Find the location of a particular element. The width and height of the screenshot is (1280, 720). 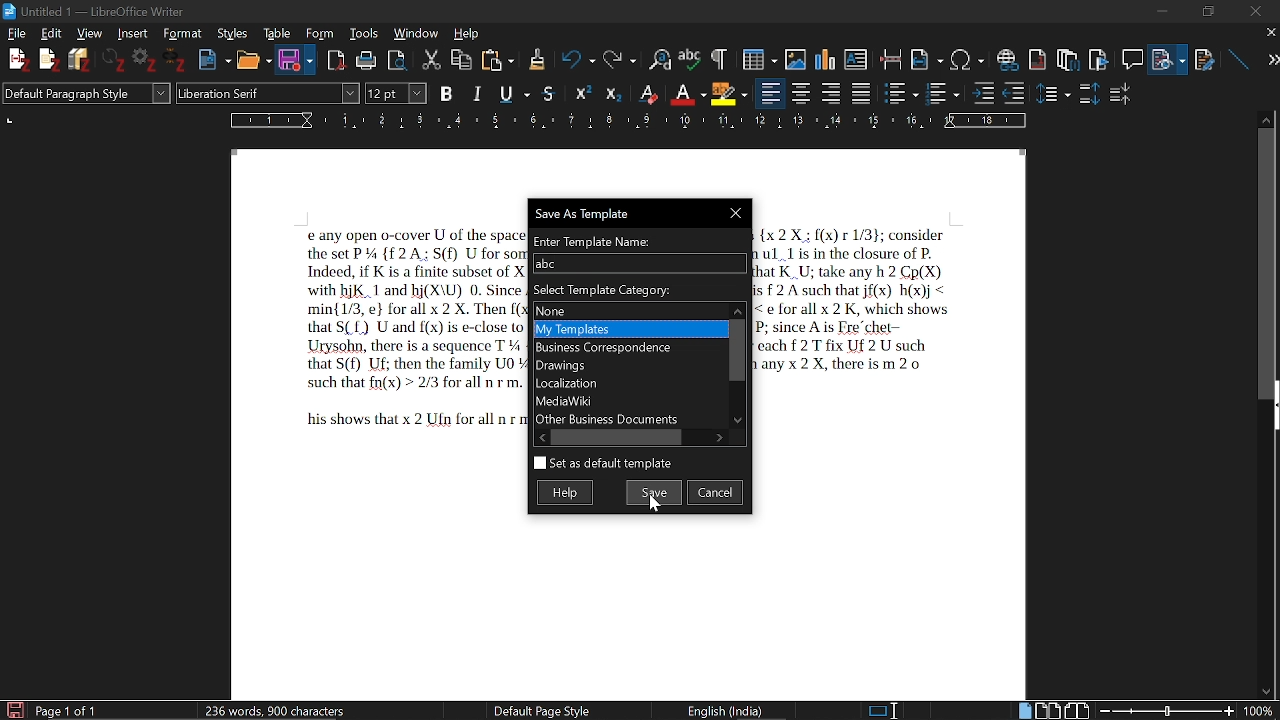

Save is located at coordinates (654, 491).